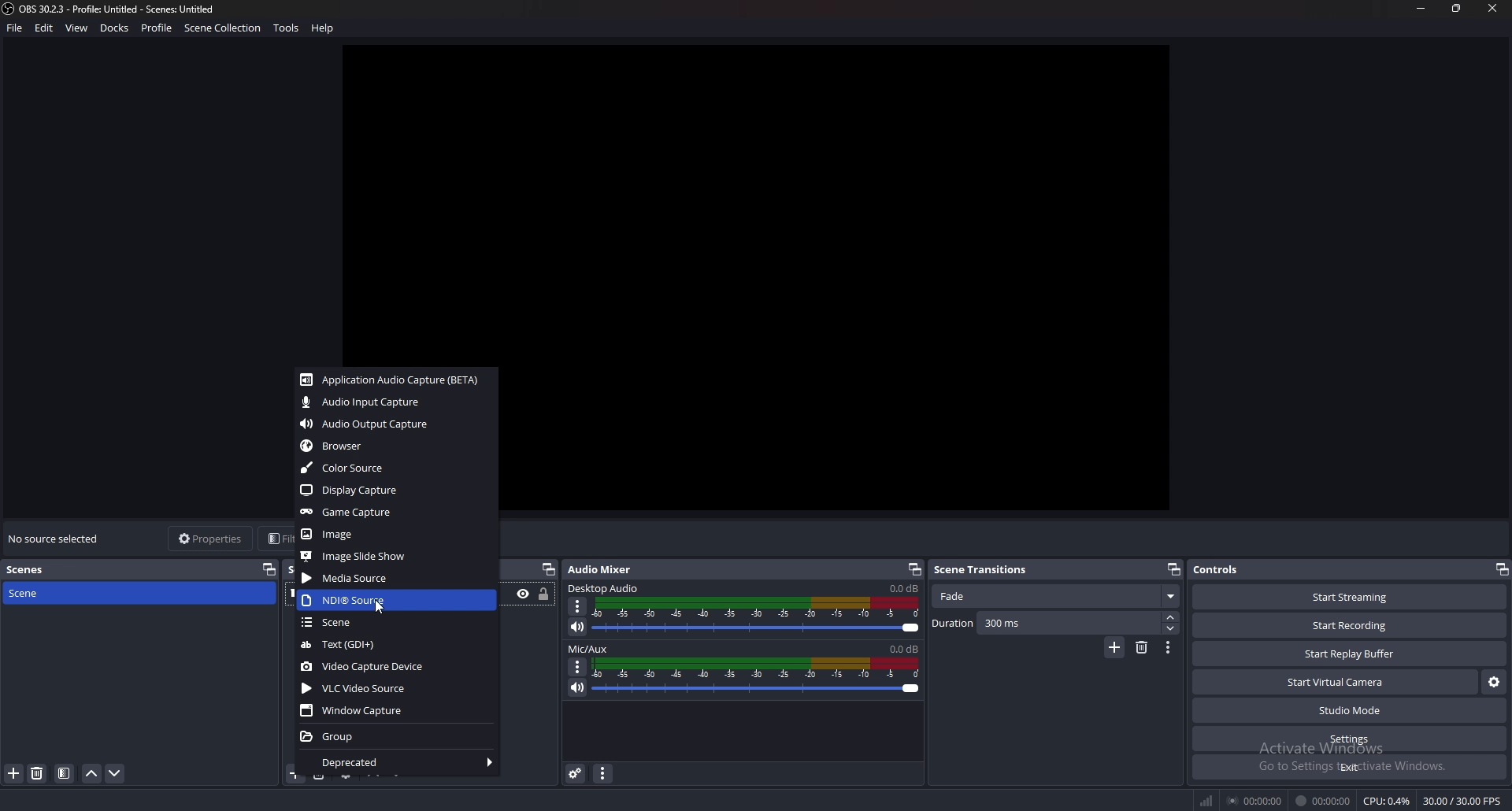  Describe the element at coordinates (1348, 767) in the screenshot. I see `exit` at that location.